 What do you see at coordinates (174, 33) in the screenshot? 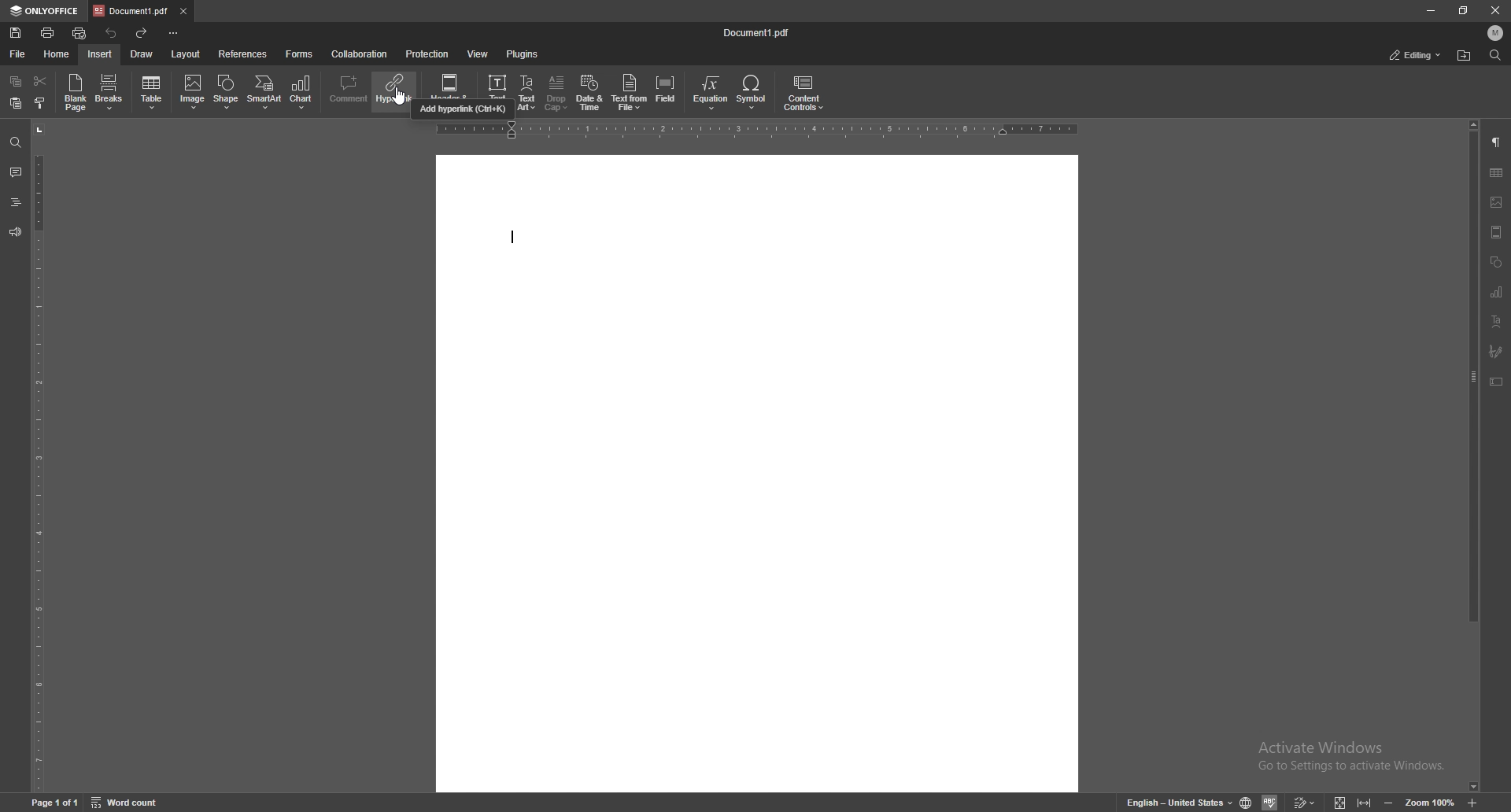
I see `configure toolbar` at bounding box center [174, 33].